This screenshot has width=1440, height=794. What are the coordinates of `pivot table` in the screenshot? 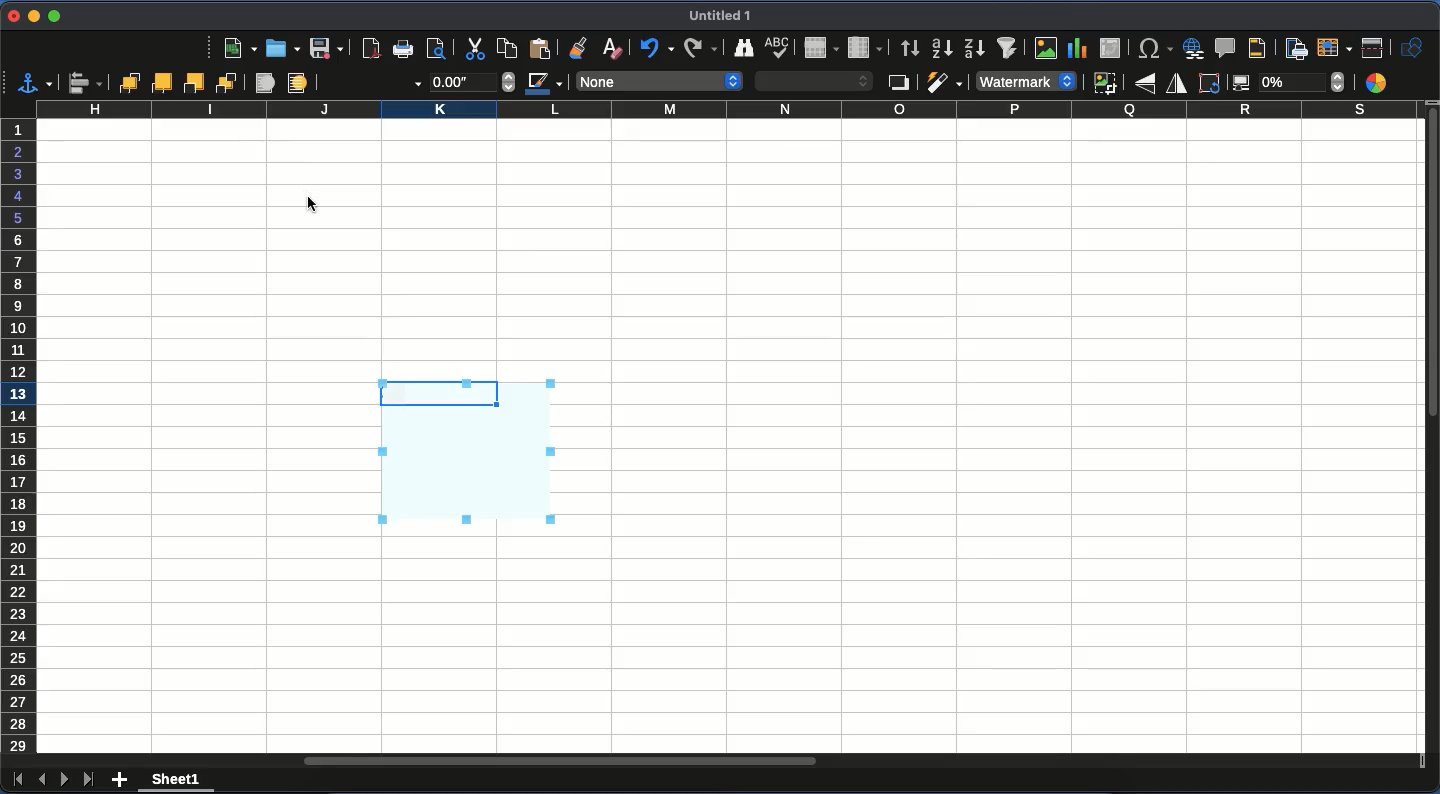 It's located at (1113, 48).